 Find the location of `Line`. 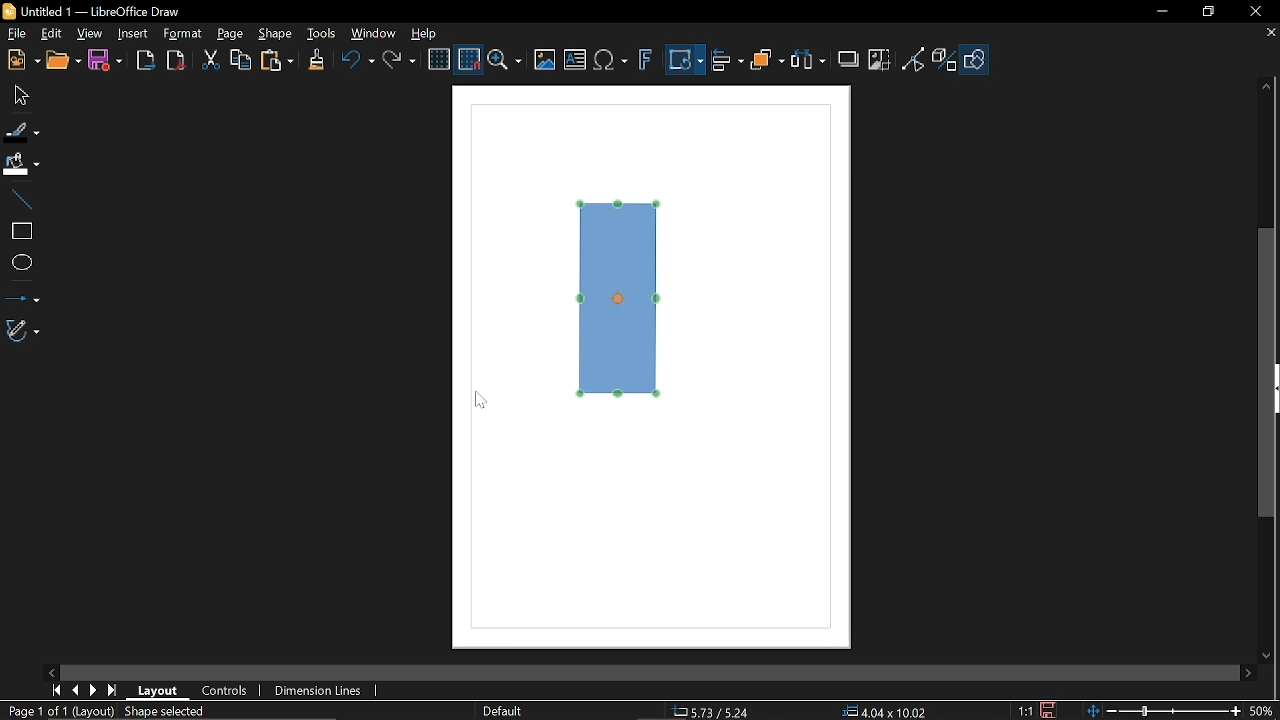

Line is located at coordinates (18, 200).